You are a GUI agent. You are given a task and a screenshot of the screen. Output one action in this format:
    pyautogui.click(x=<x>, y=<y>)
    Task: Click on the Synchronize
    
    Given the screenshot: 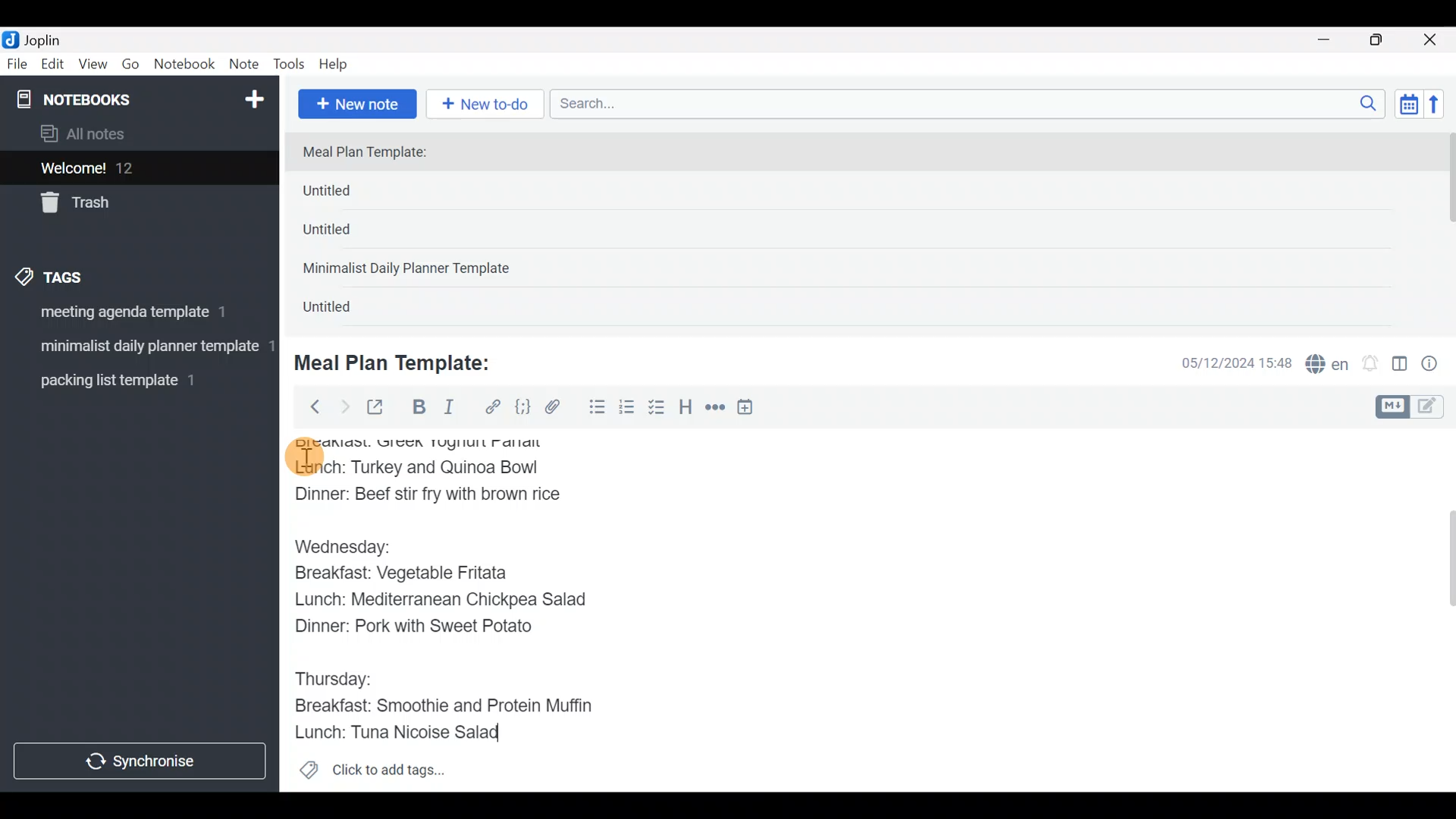 What is the action you would take?
    pyautogui.click(x=142, y=761)
    